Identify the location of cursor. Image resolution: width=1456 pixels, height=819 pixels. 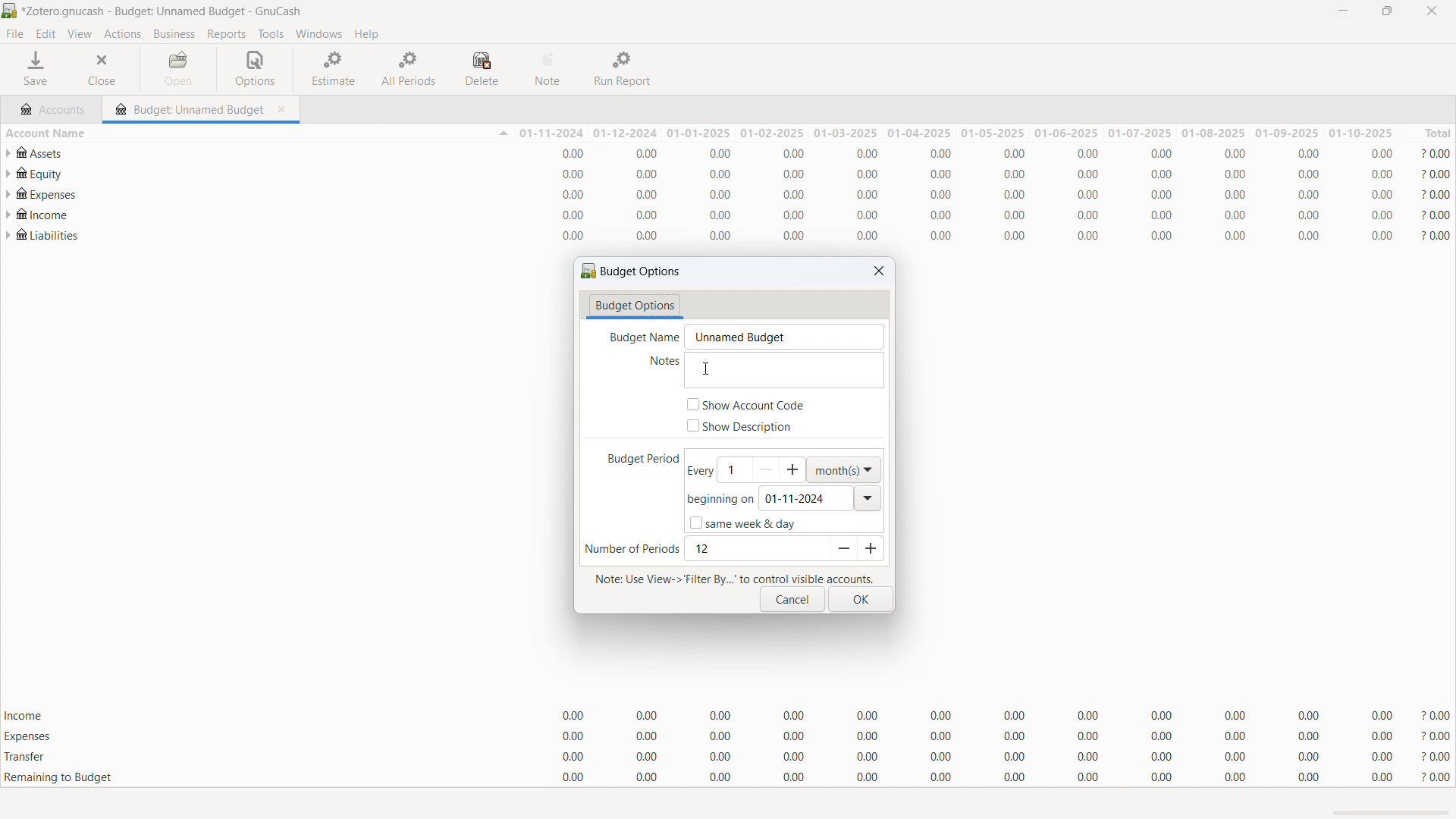
(704, 369).